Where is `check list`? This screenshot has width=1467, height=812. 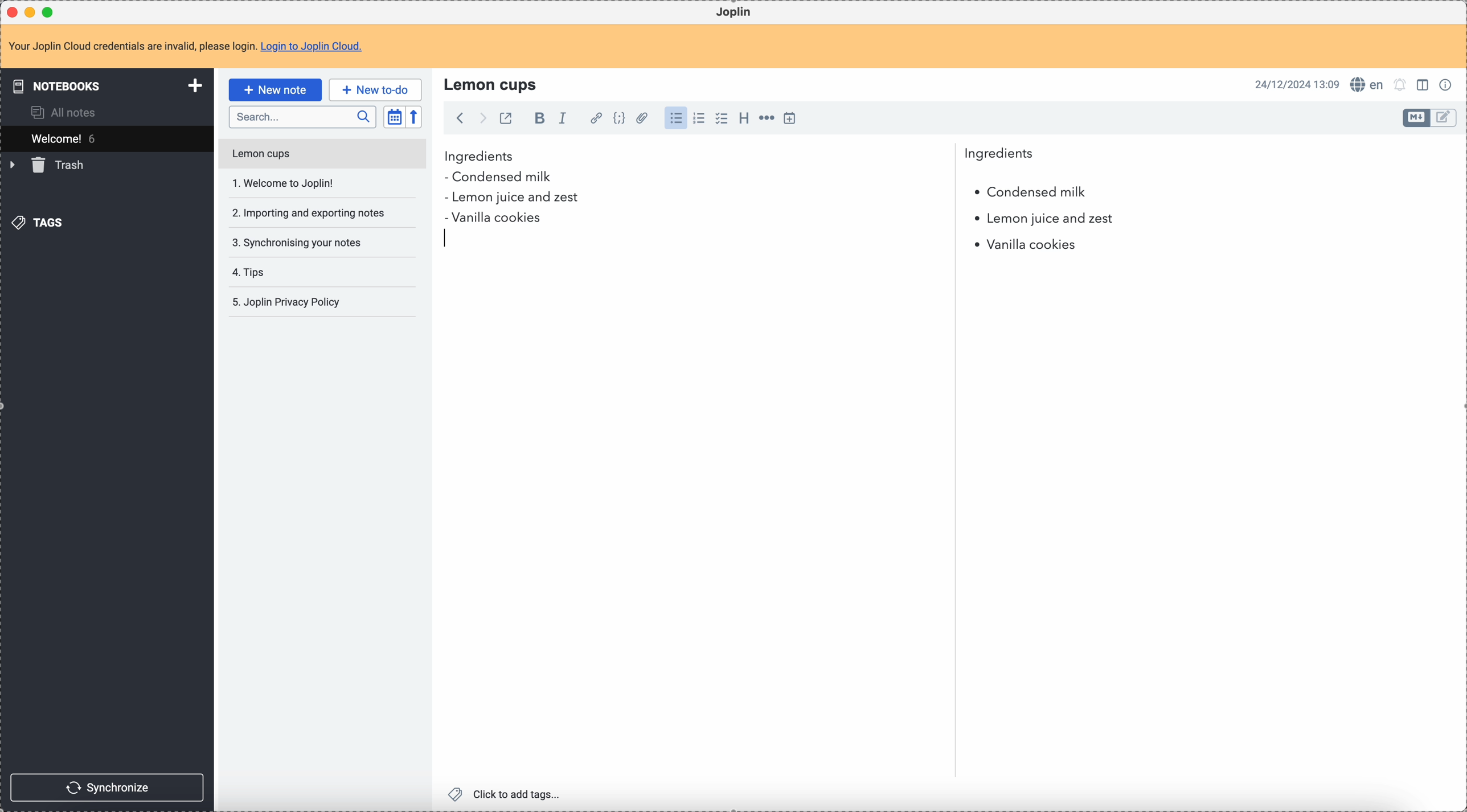
check list is located at coordinates (721, 118).